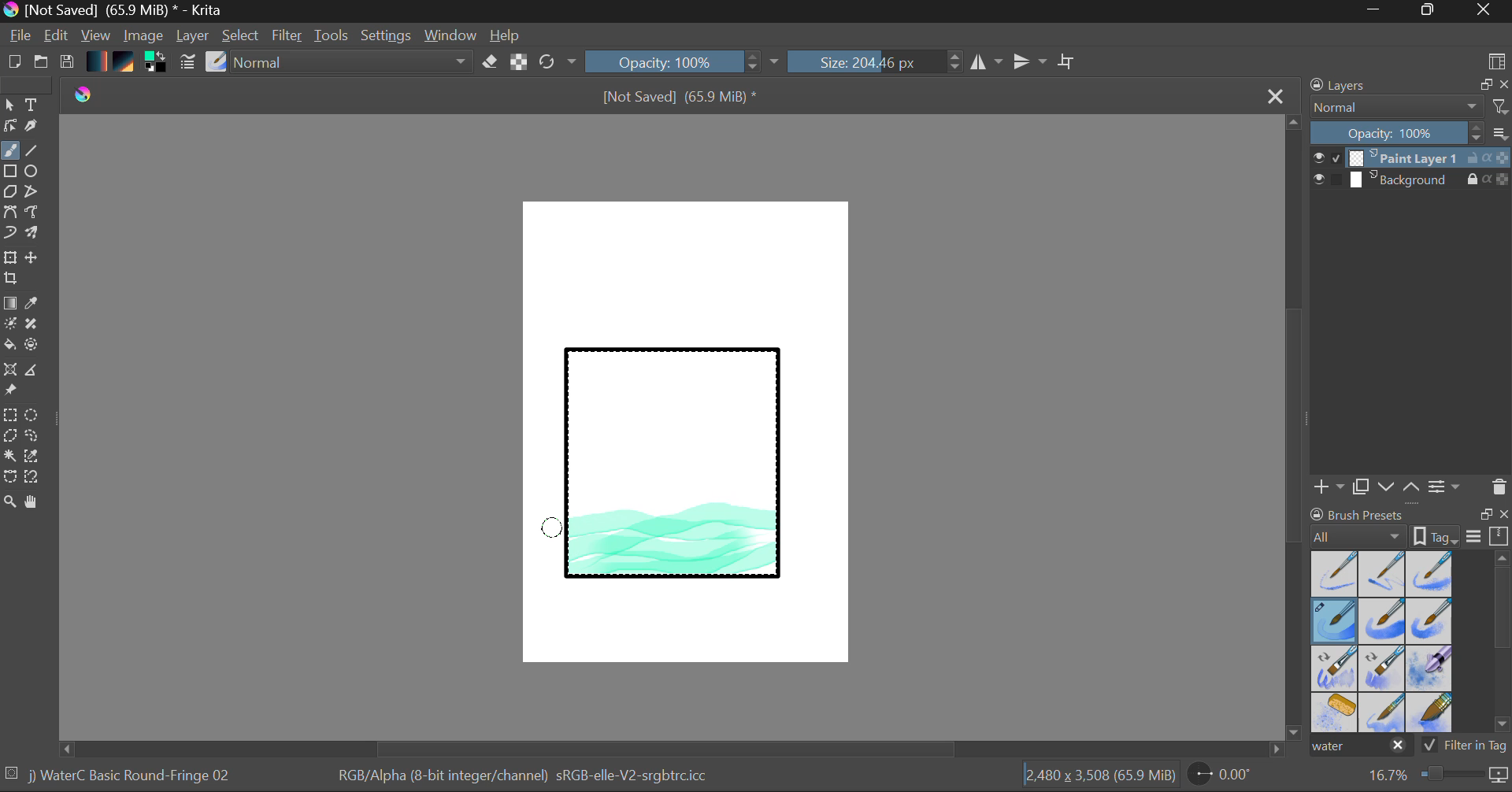 The width and height of the screenshot is (1512, 792). What do you see at coordinates (876, 61) in the screenshot?
I see `Brush Size` at bounding box center [876, 61].